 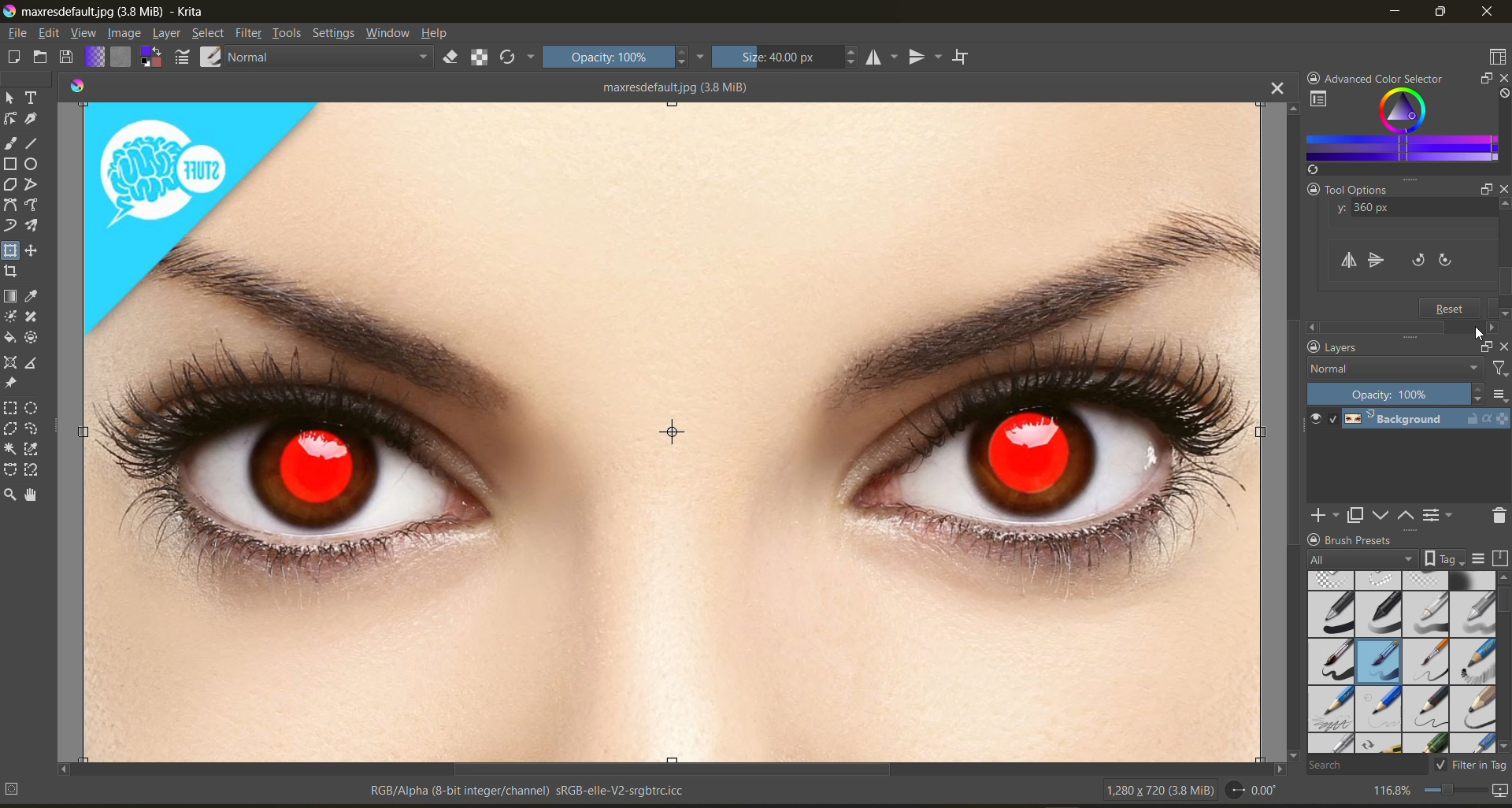 What do you see at coordinates (33, 96) in the screenshot?
I see `tool` at bounding box center [33, 96].